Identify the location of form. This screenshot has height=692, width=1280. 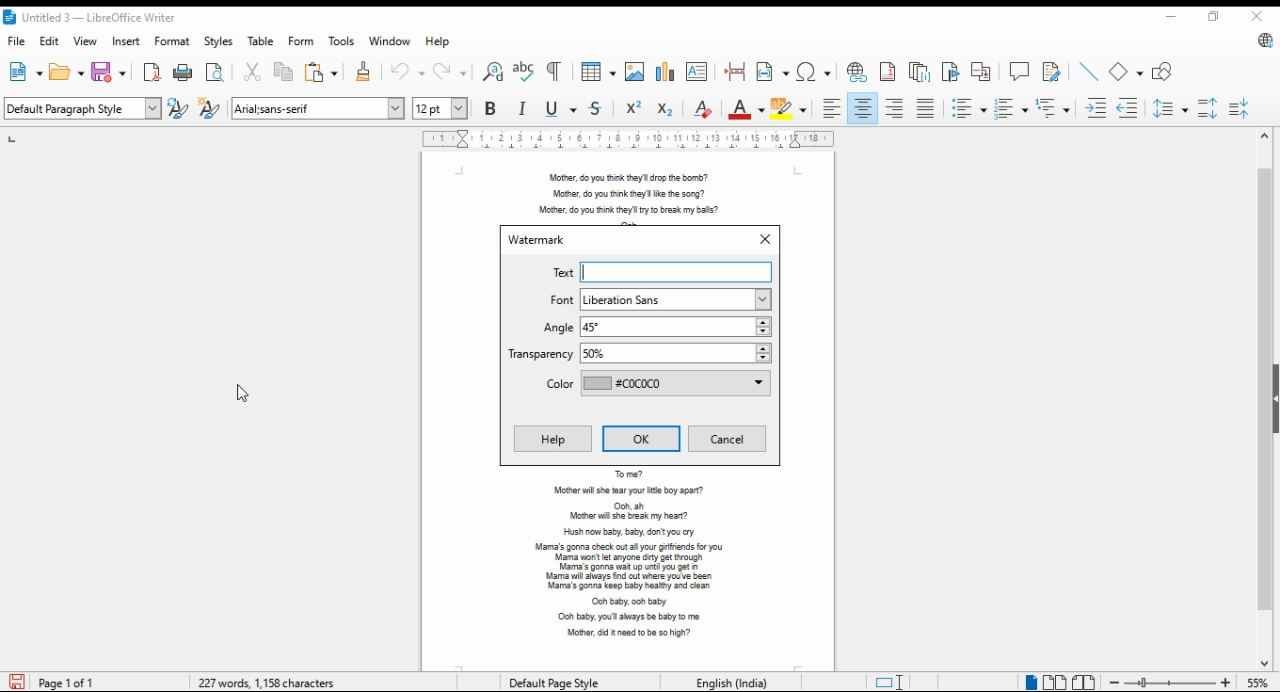
(302, 42).